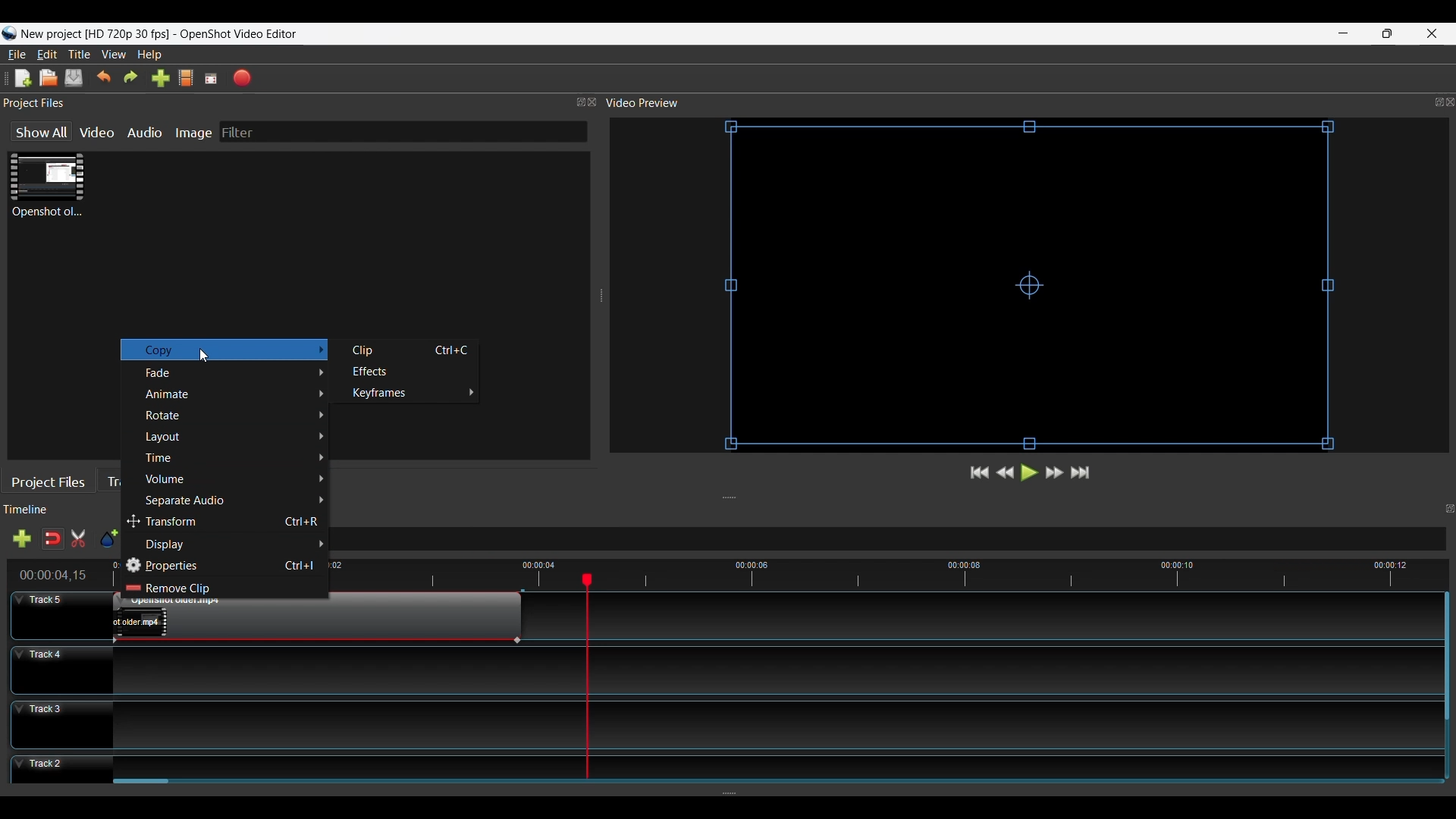  Describe the element at coordinates (185, 79) in the screenshot. I see `Choose Profile` at that location.